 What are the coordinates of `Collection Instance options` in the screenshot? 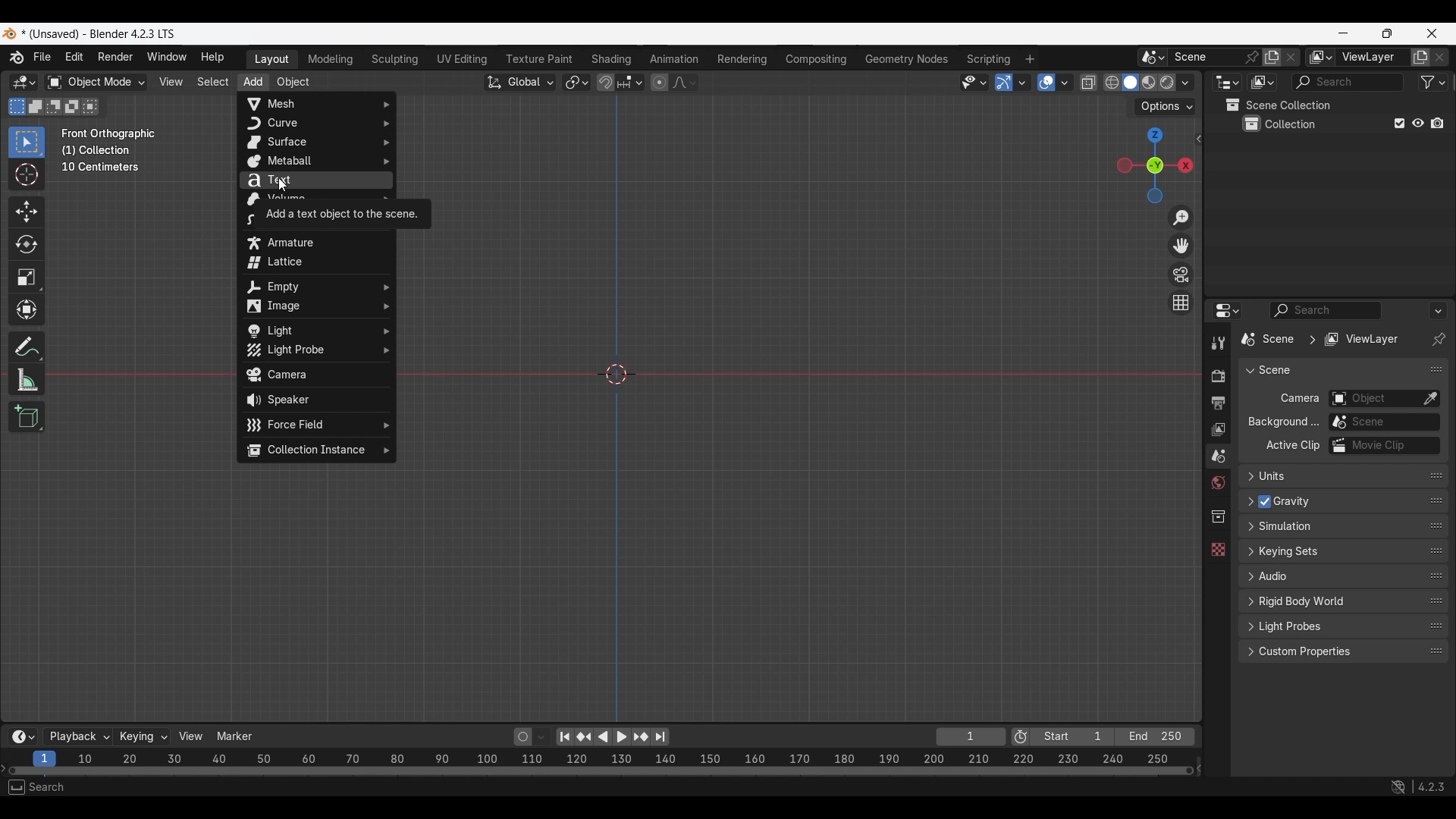 It's located at (317, 450).